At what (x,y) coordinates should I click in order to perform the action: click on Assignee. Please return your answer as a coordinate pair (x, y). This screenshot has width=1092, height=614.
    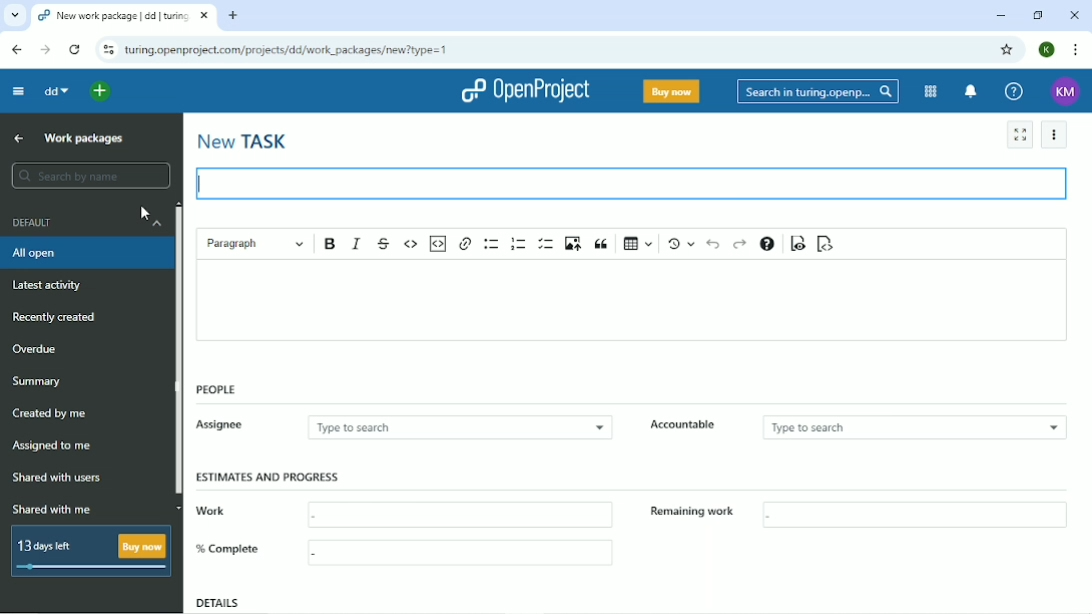
    Looking at the image, I should click on (228, 426).